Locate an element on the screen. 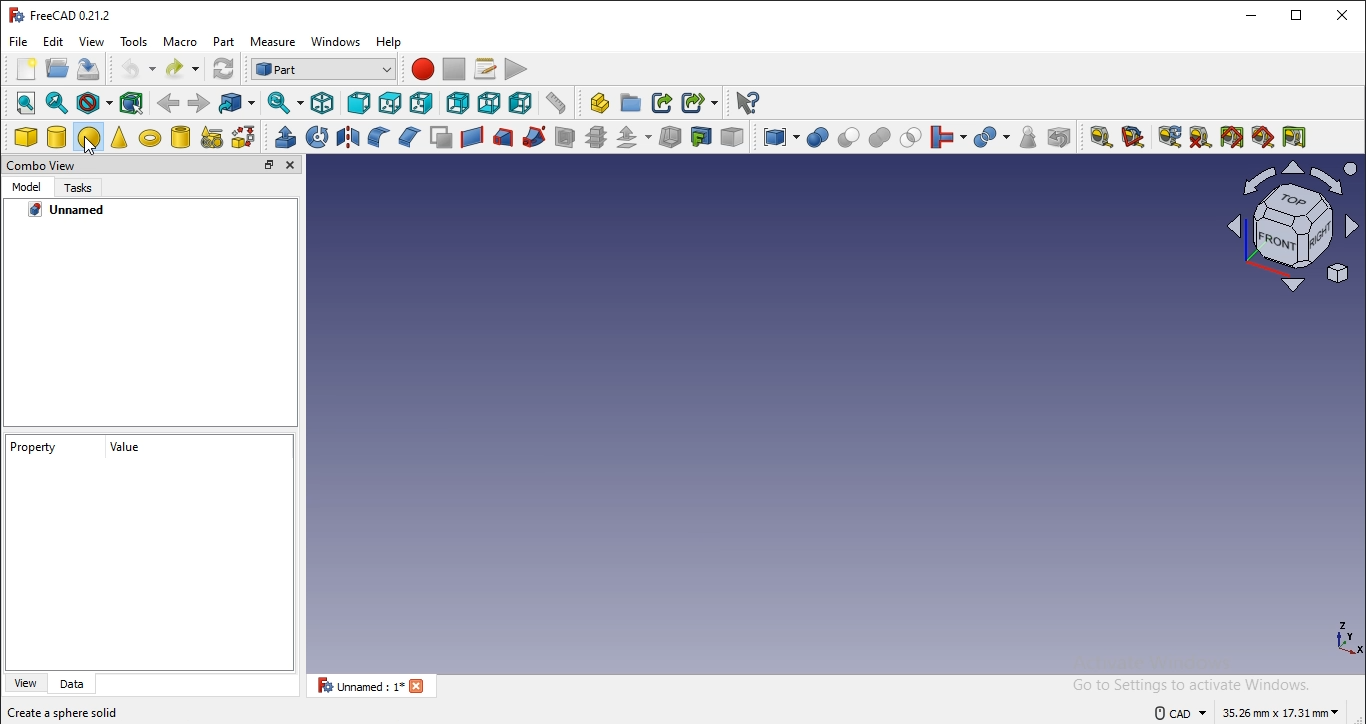  sweep is located at coordinates (533, 137).